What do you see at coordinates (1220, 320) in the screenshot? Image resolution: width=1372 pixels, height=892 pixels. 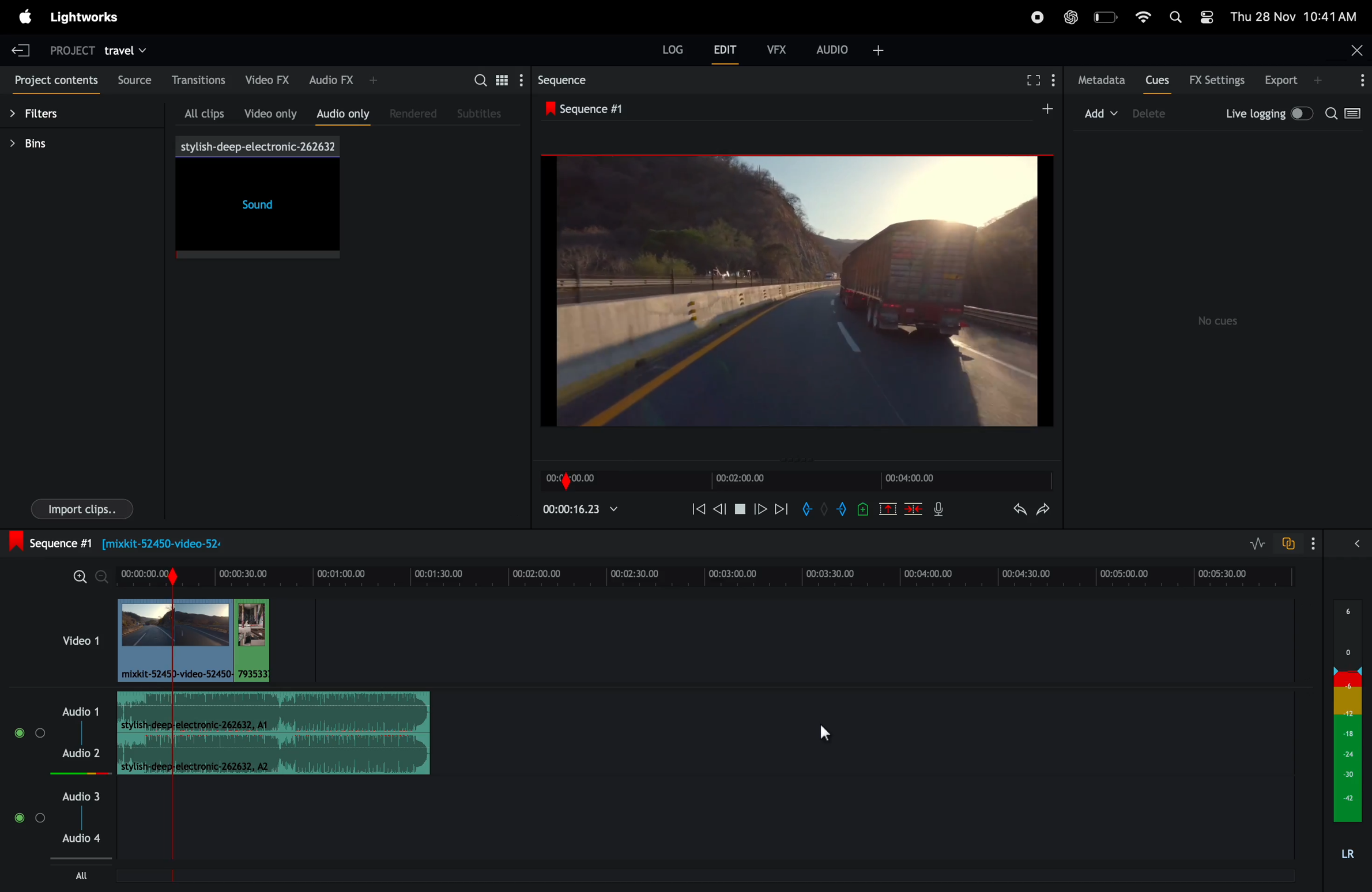 I see `no cues` at bounding box center [1220, 320].